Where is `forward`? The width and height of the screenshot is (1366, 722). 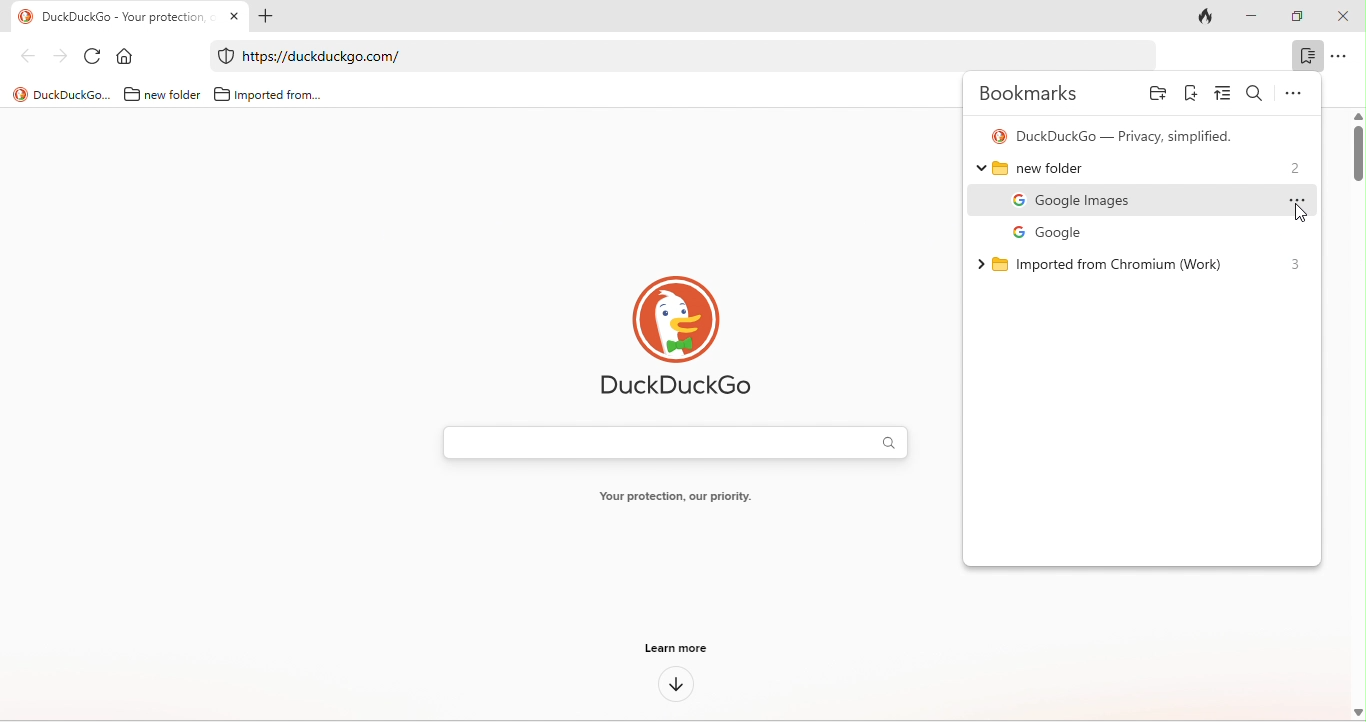 forward is located at coordinates (56, 55).